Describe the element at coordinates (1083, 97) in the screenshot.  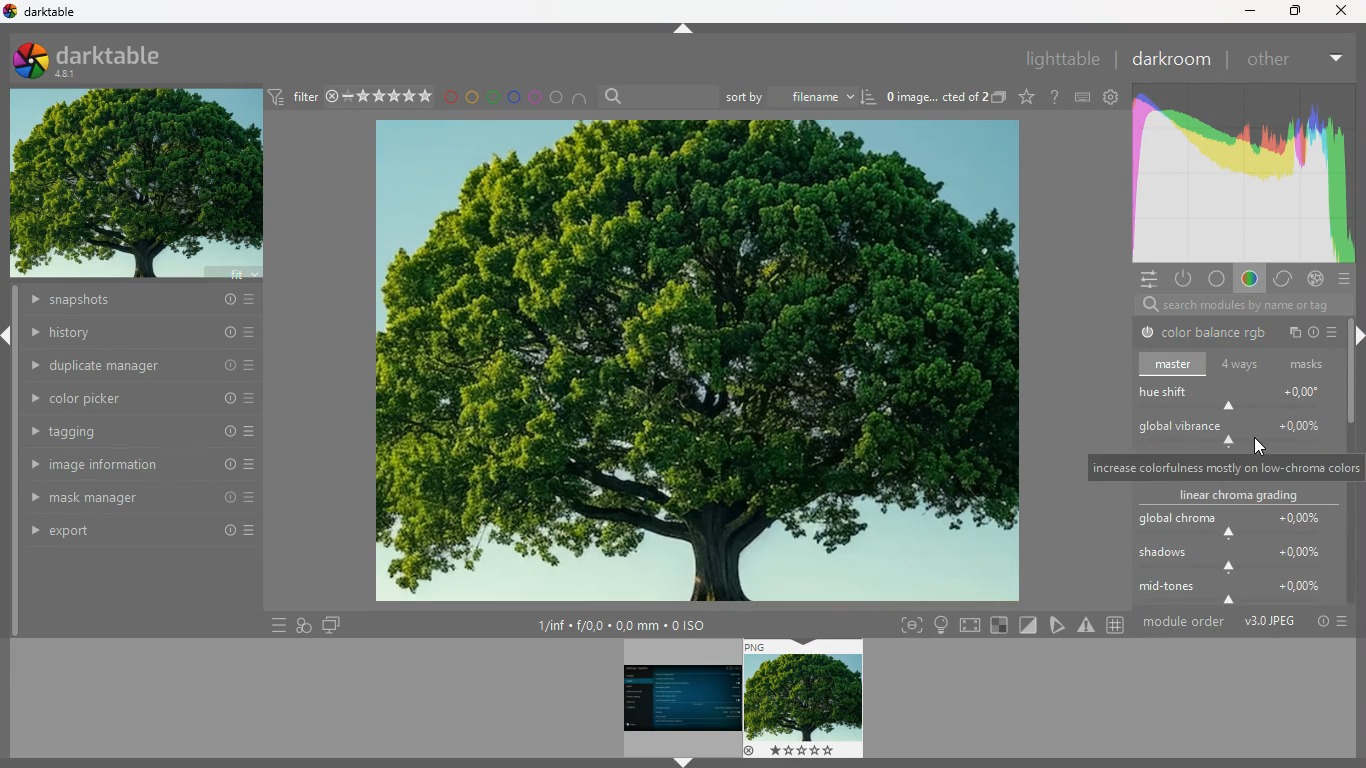
I see `keyboard` at that location.